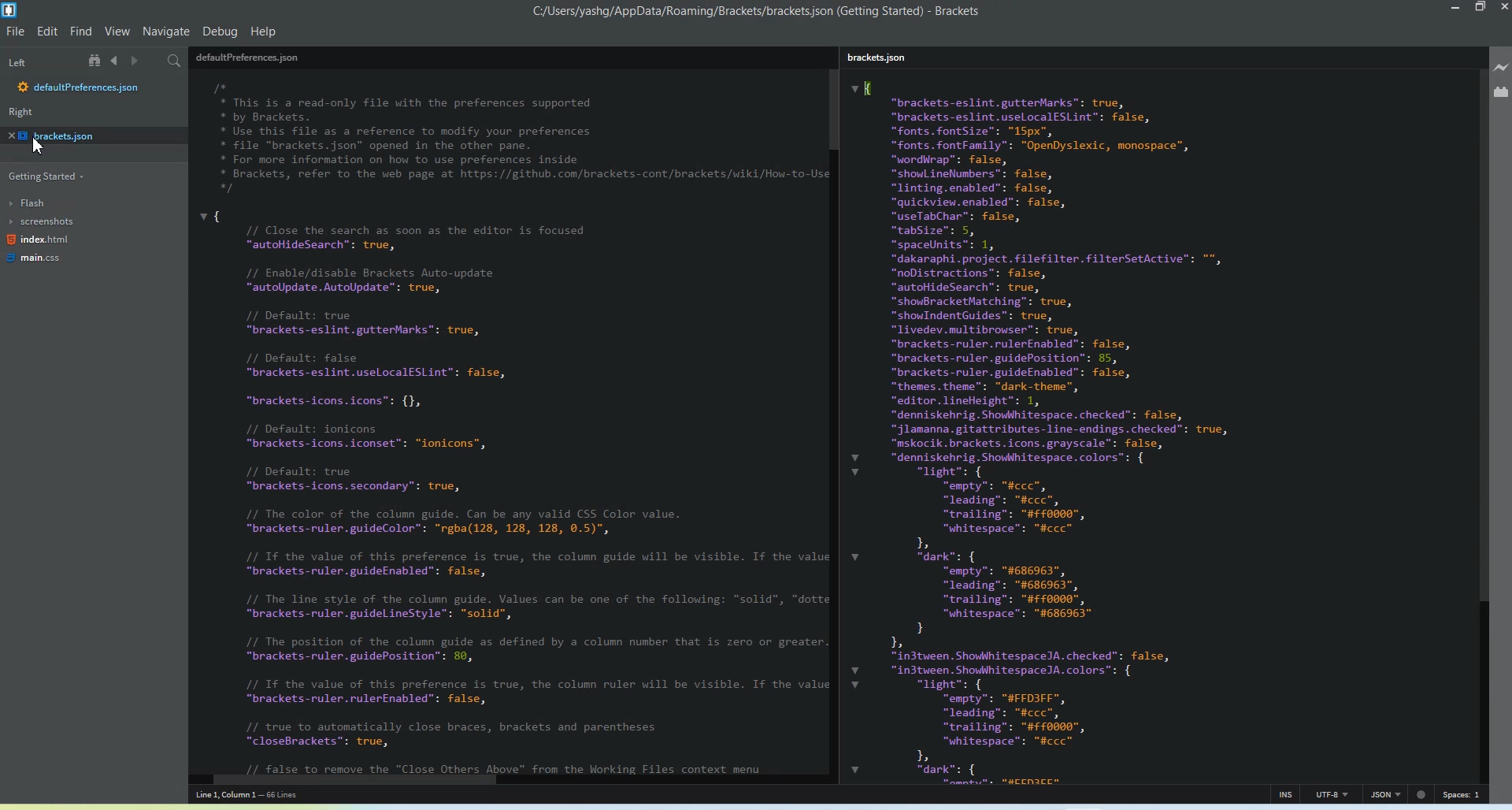  Describe the element at coordinates (38, 202) in the screenshot. I see `Flash` at that location.